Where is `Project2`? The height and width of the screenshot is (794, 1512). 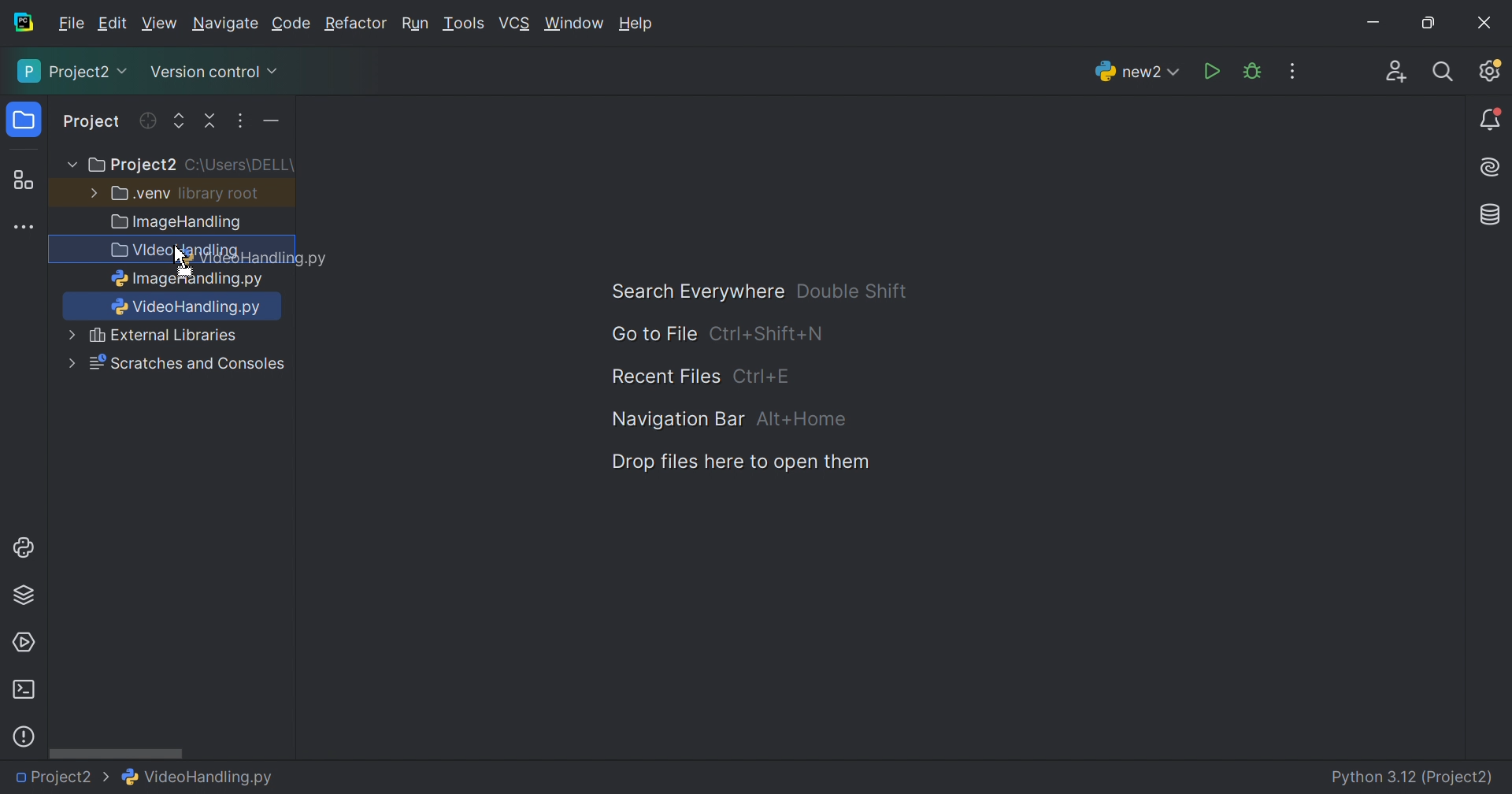 Project2 is located at coordinates (131, 165).